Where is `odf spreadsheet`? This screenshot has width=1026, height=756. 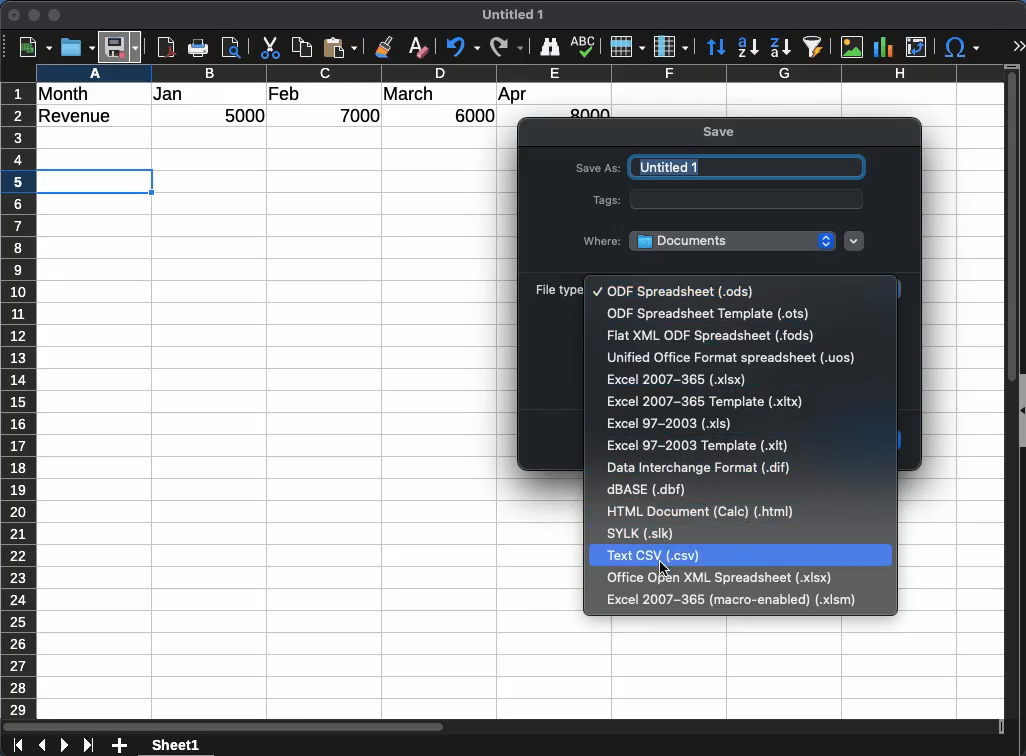
odf spreadsheet is located at coordinates (680, 291).